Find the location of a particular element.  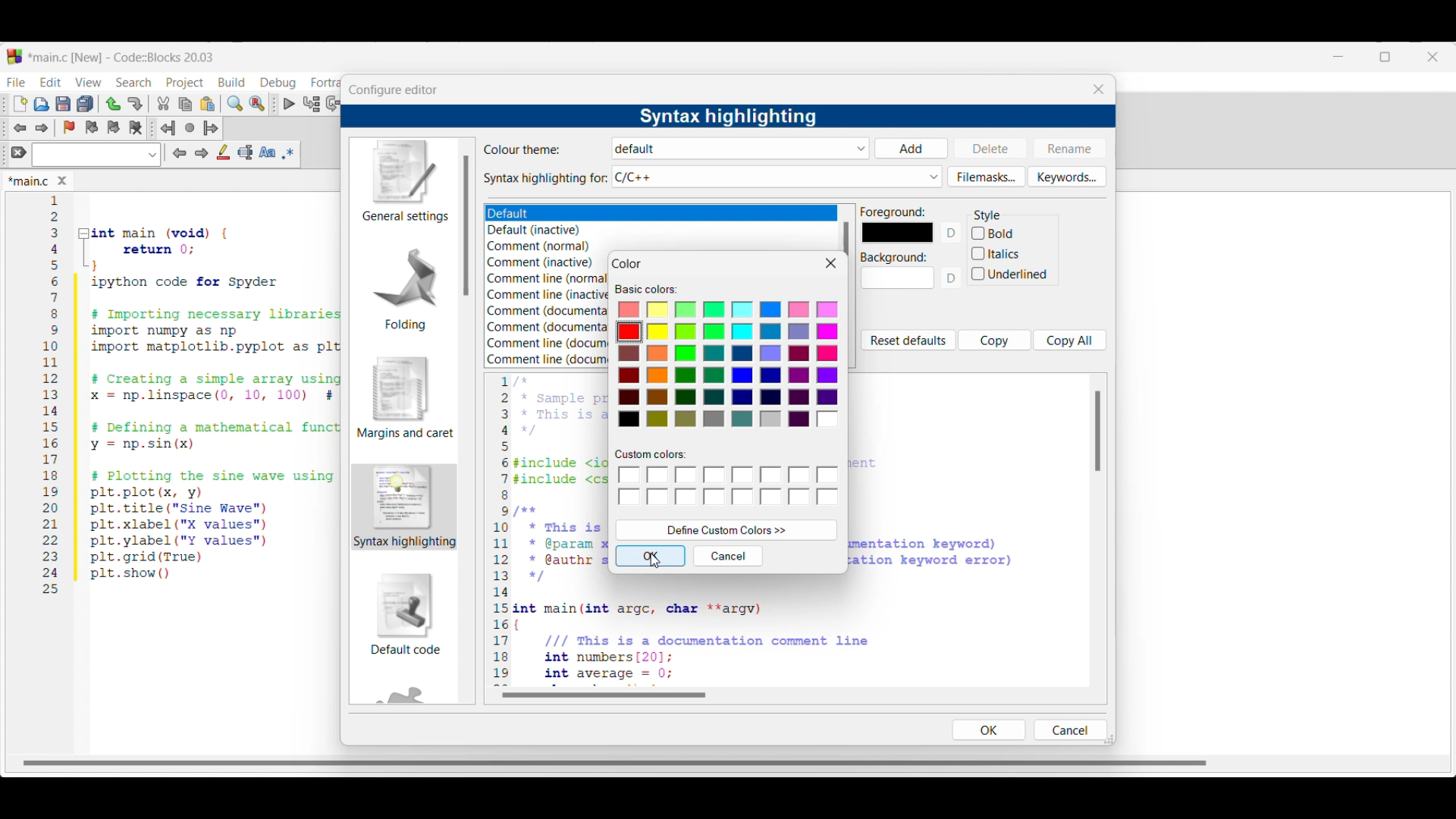

Copy is located at coordinates (995, 340).